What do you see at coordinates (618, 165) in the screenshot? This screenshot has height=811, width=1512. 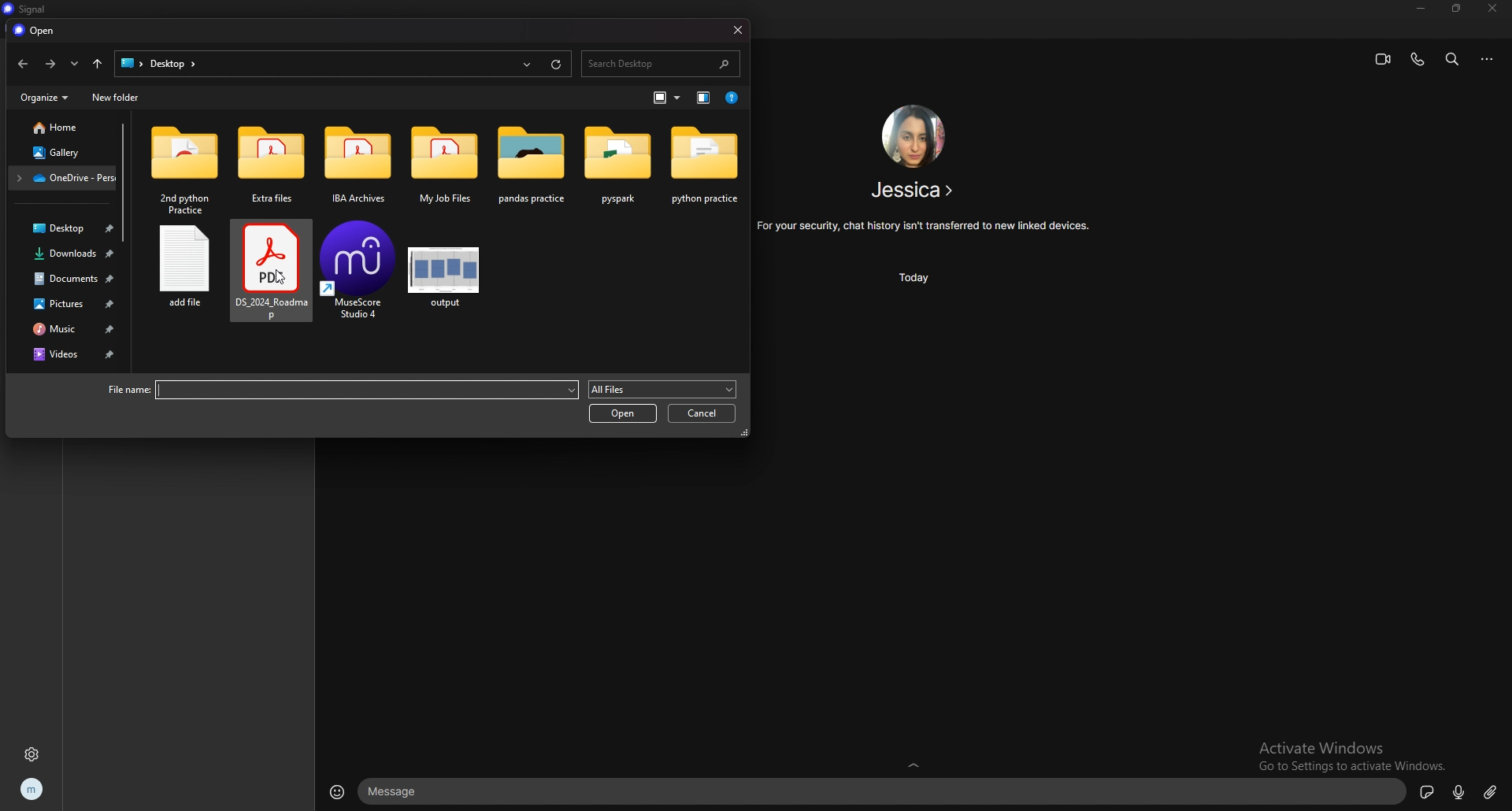 I see `folder` at bounding box center [618, 165].